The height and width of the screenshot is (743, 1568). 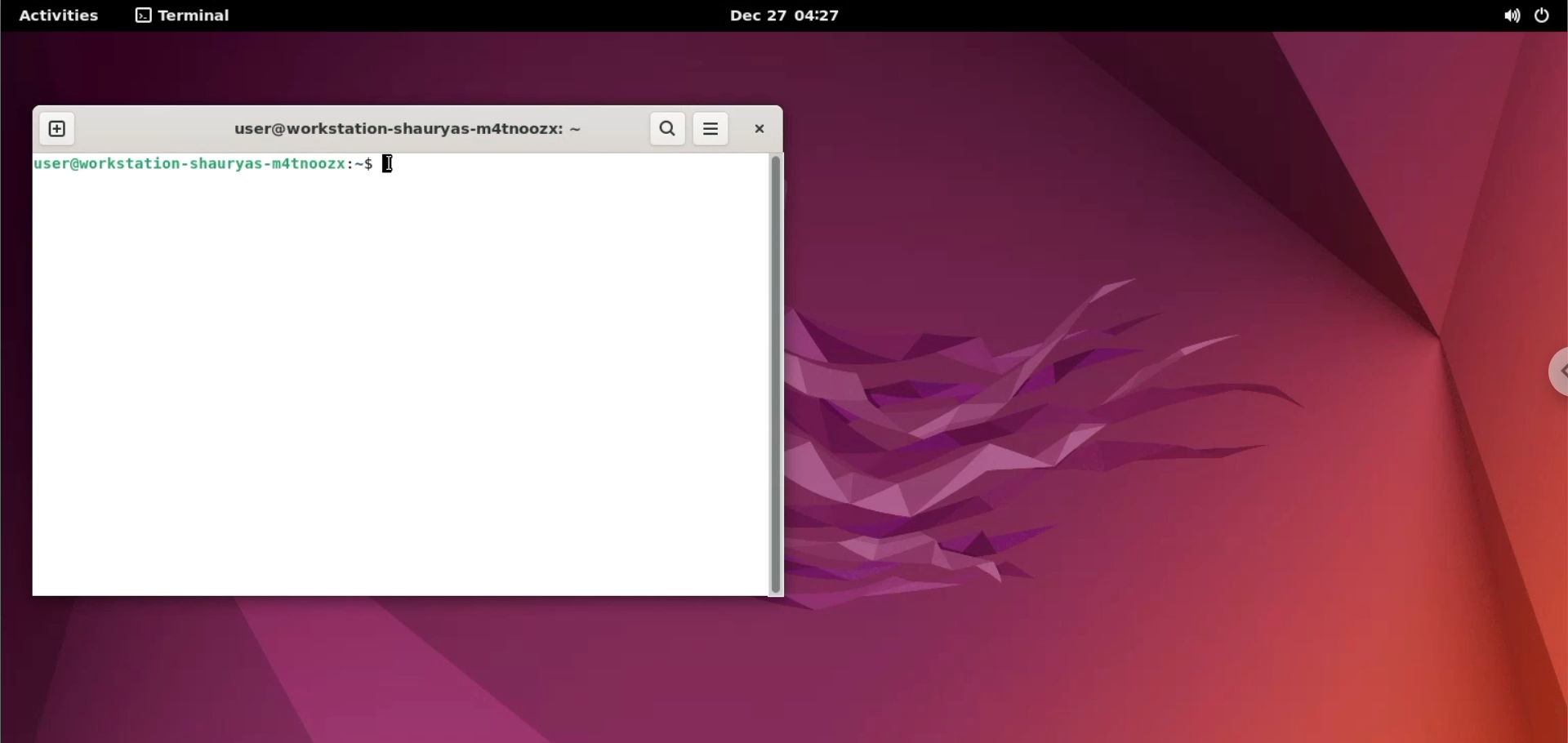 What do you see at coordinates (1548, 17) in the screenshot?
I see `power options` at bounding box center [1548, 17].